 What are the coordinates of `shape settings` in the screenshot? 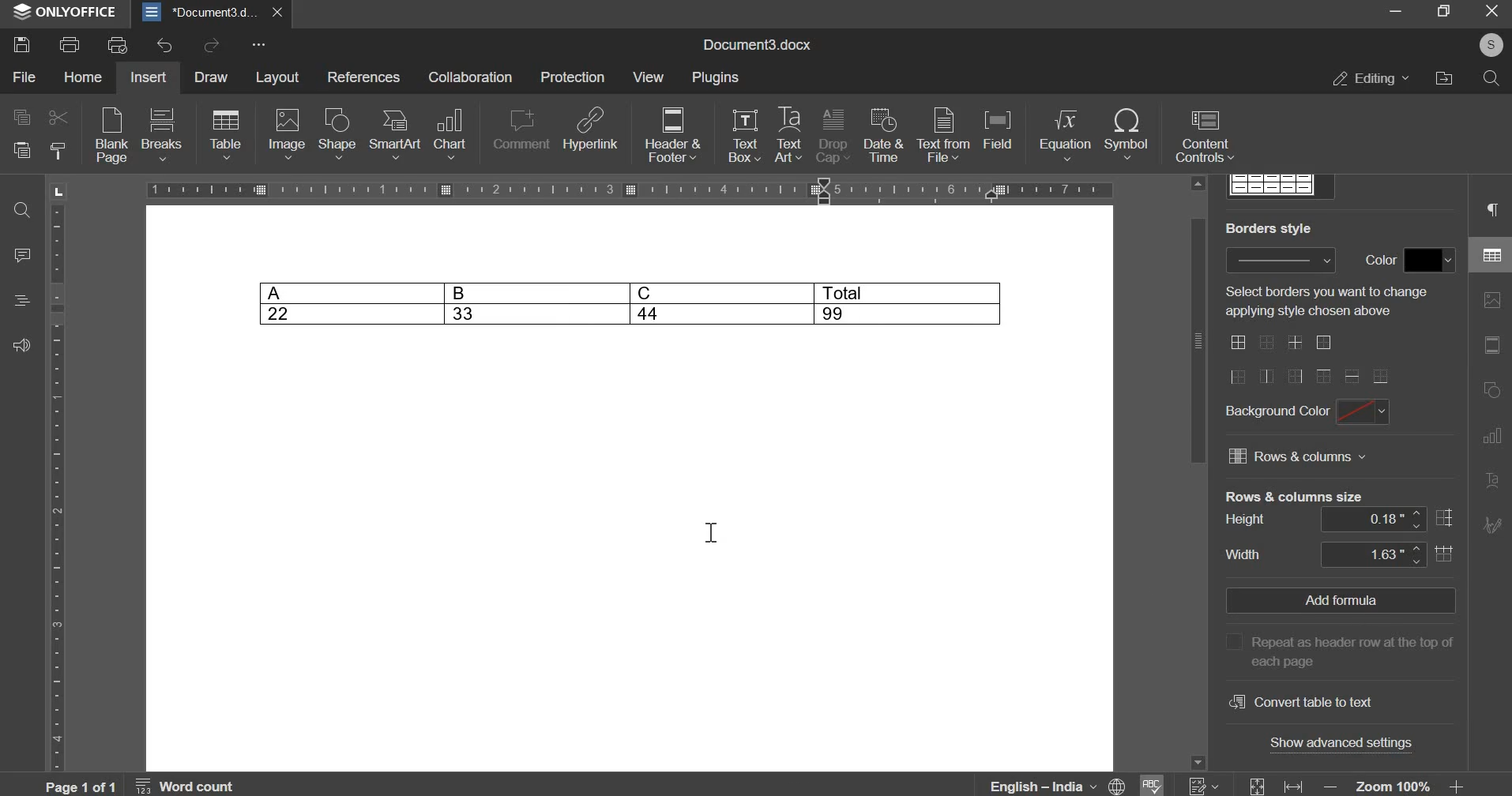 It's located at (1492, 390).